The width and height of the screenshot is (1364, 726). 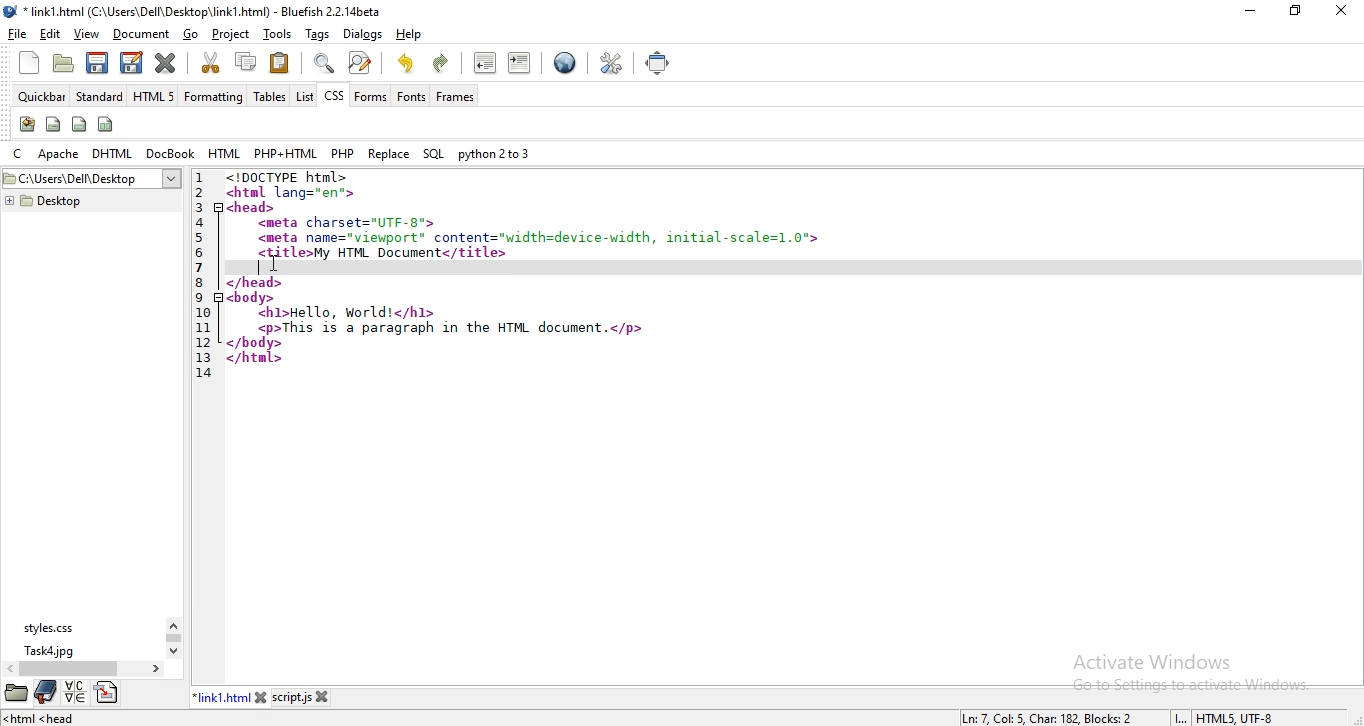 What do you see at coordinates (1046, 718) in the screenshot?
I see `line, column, character, block numbers` at bounding box center [1046, 718].